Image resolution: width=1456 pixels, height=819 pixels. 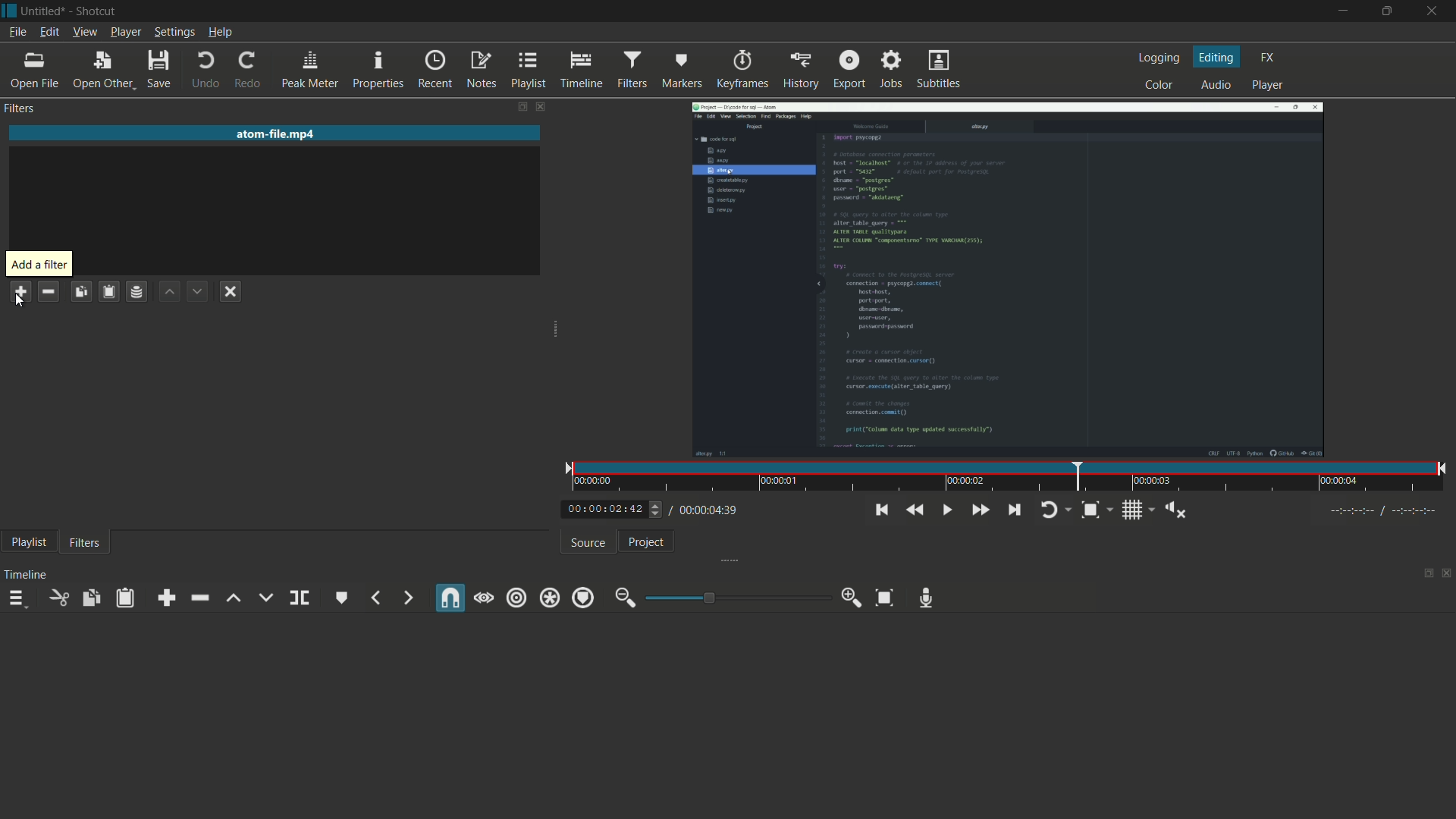 I want to click on color, so click(x=1160, y=84).